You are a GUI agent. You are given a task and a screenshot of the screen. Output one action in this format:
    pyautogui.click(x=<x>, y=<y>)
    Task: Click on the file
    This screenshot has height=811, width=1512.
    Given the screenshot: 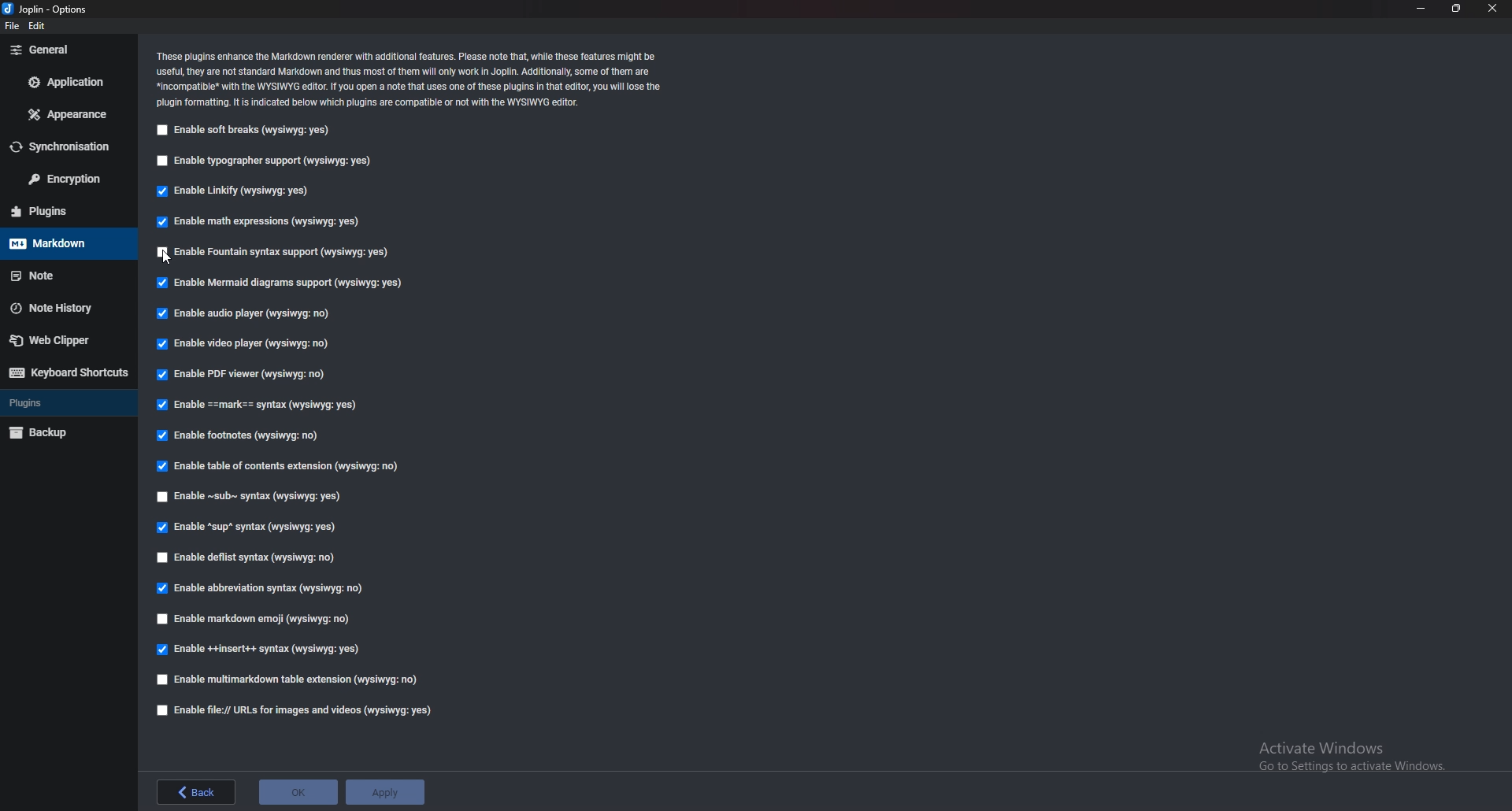 What is the action you would take?
    pyautogui.click(x=13, y=26)
    